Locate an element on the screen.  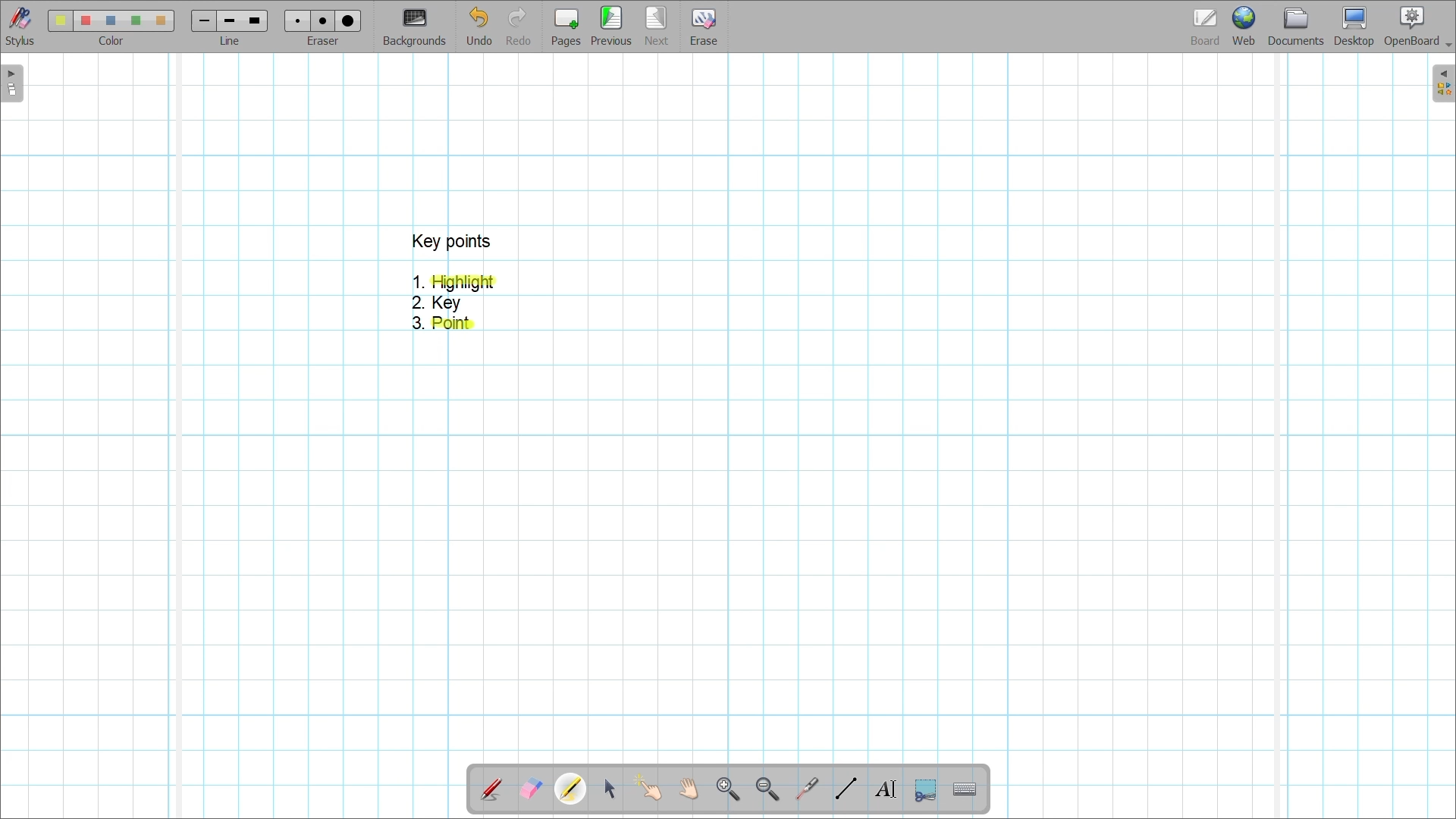
color3 is located at coordinates (111, 21).